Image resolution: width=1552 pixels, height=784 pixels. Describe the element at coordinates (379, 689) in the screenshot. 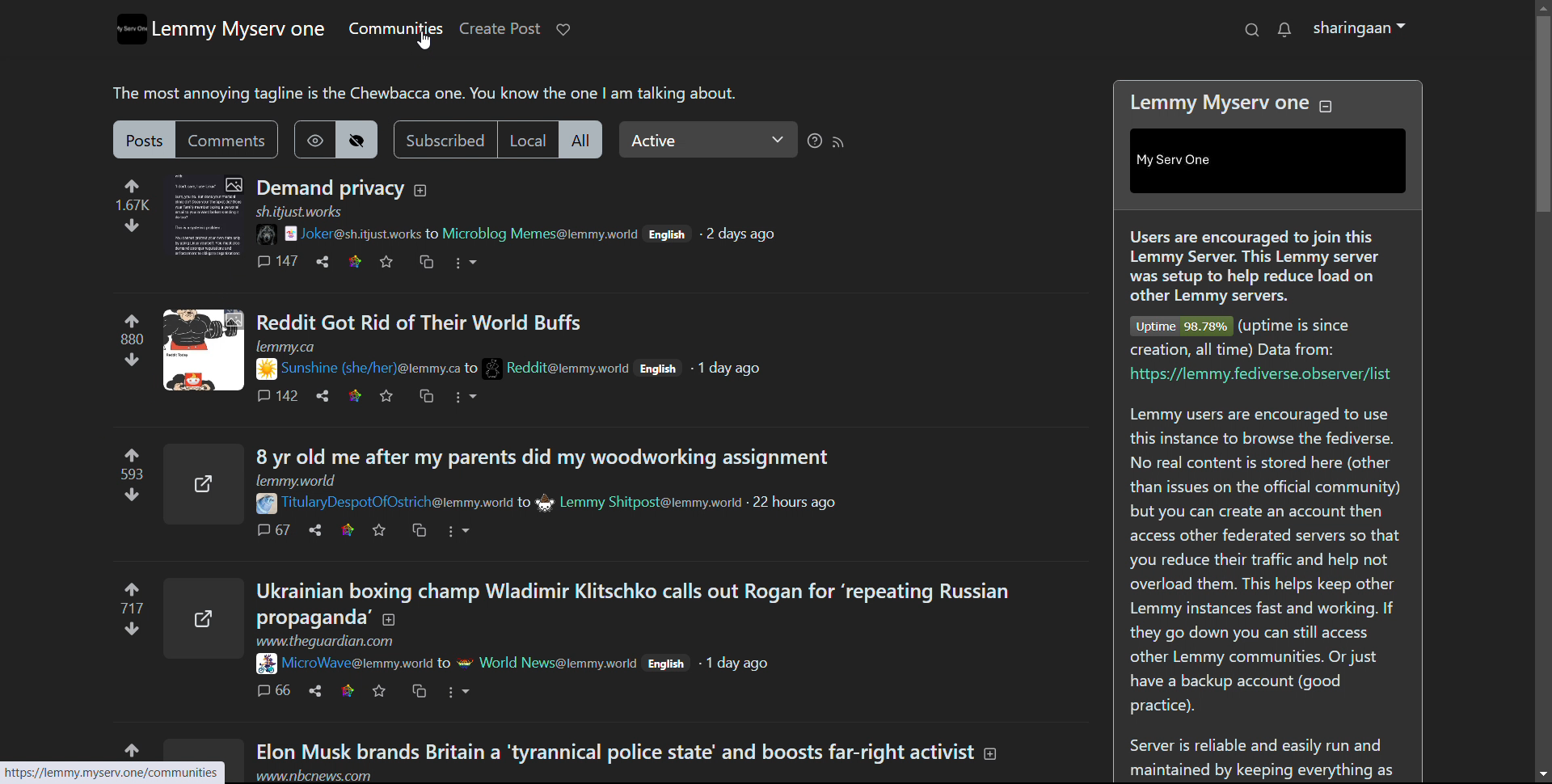

I see `save` at that location.